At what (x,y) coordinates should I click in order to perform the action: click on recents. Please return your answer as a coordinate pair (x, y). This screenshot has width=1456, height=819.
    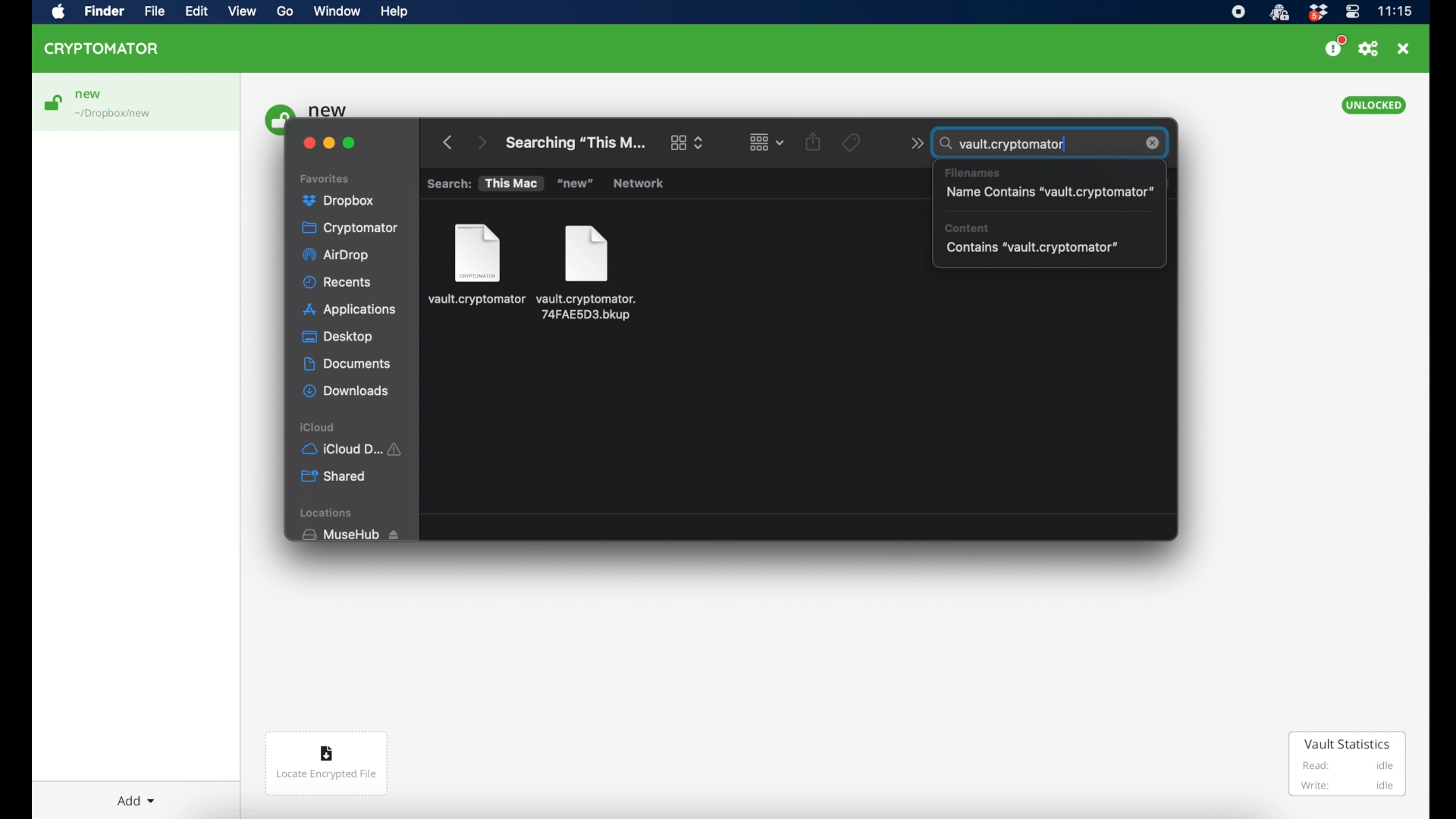
    Looking at the image, I should click on (337, 282).